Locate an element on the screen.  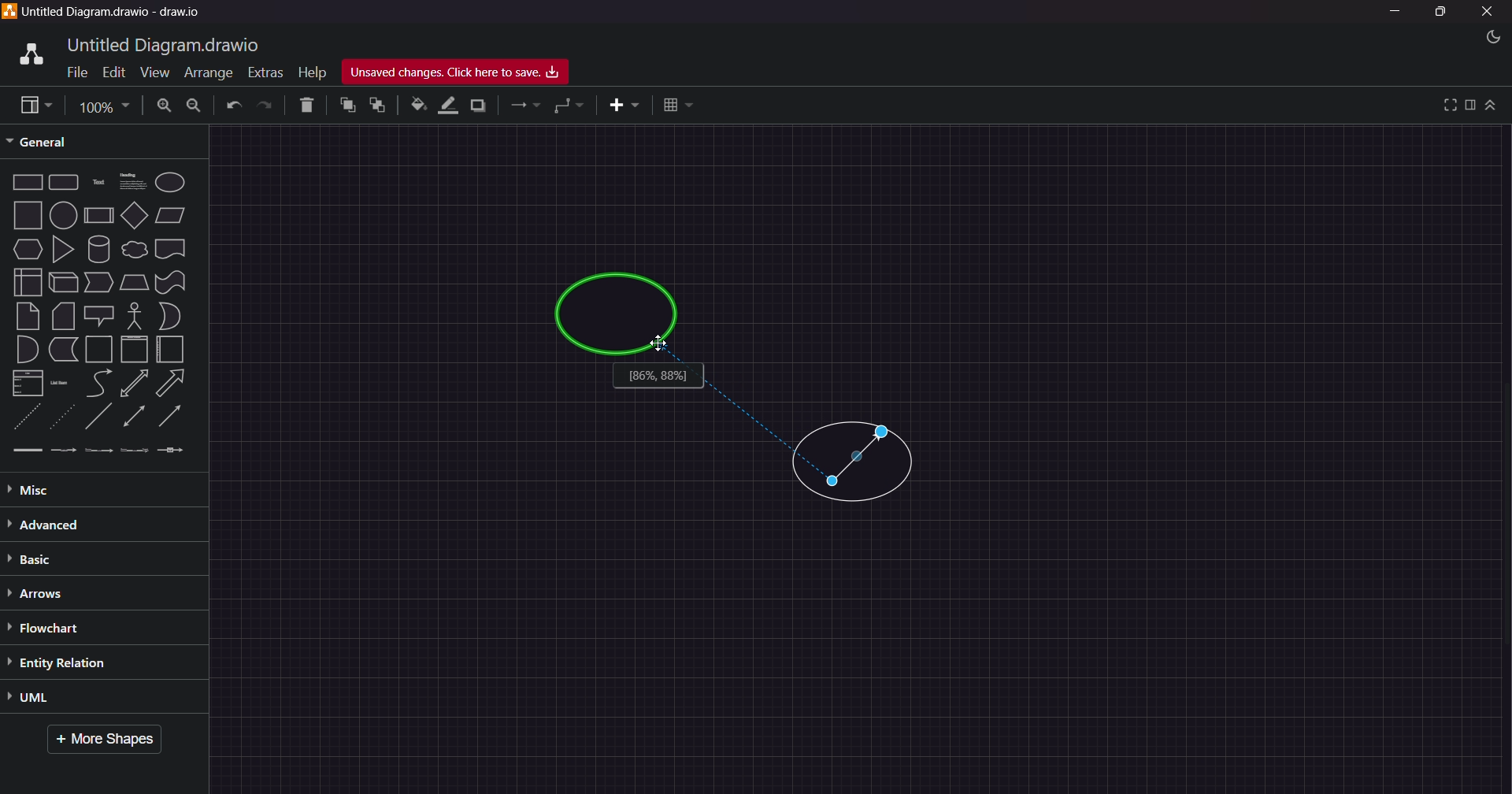
UML is located at coordinates (72, 699).